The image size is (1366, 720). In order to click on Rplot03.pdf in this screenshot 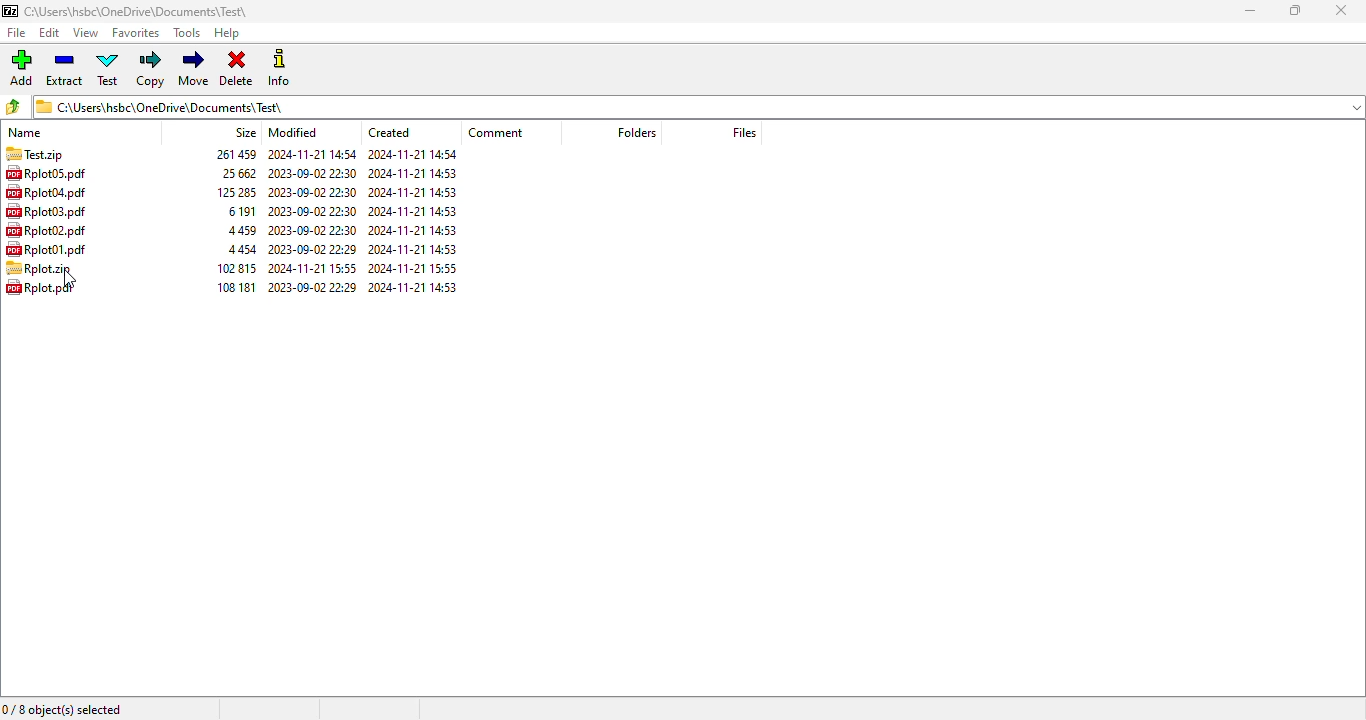, I will do `click(48, 212)`.